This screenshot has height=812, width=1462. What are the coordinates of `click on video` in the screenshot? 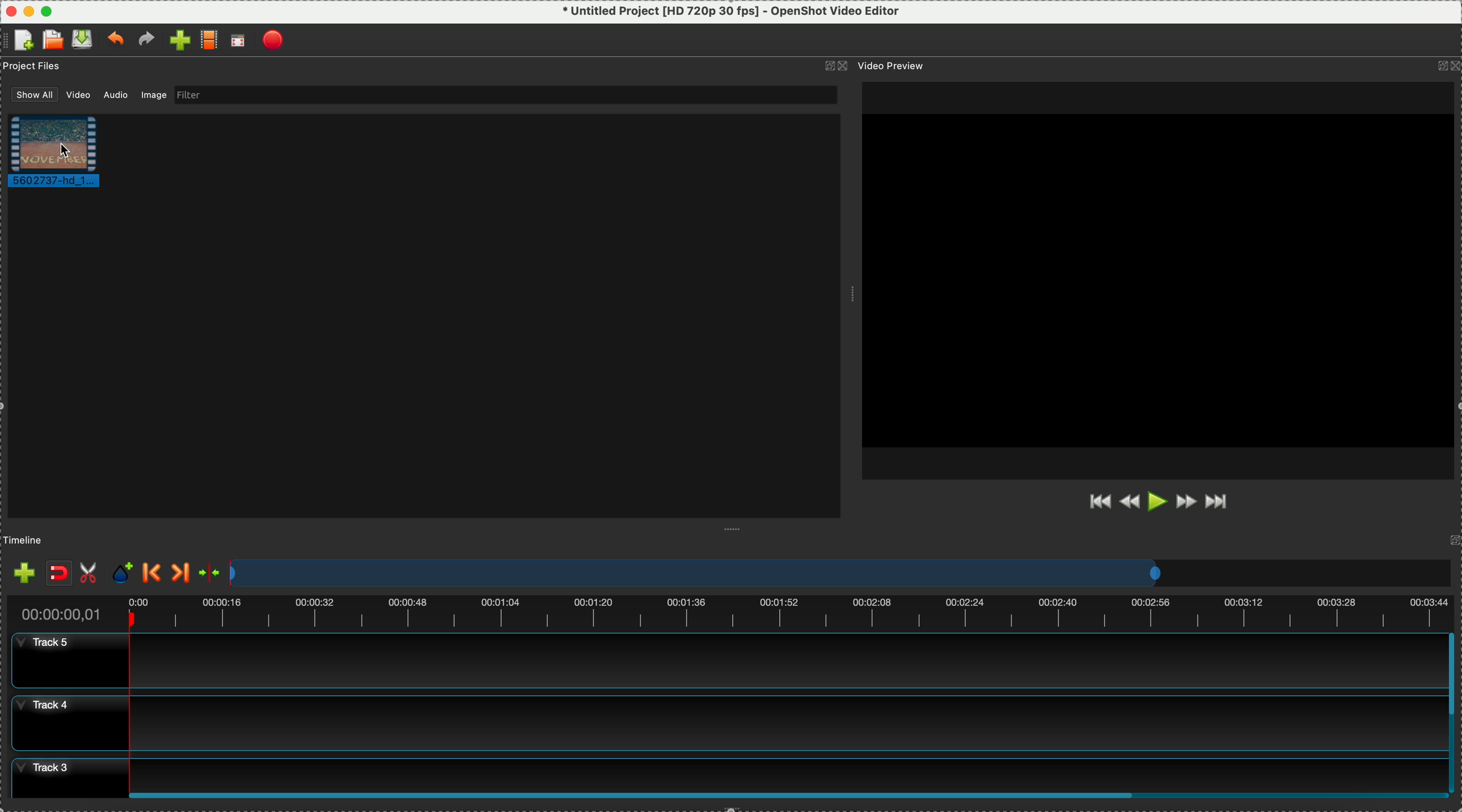 It's located at (61, 154).